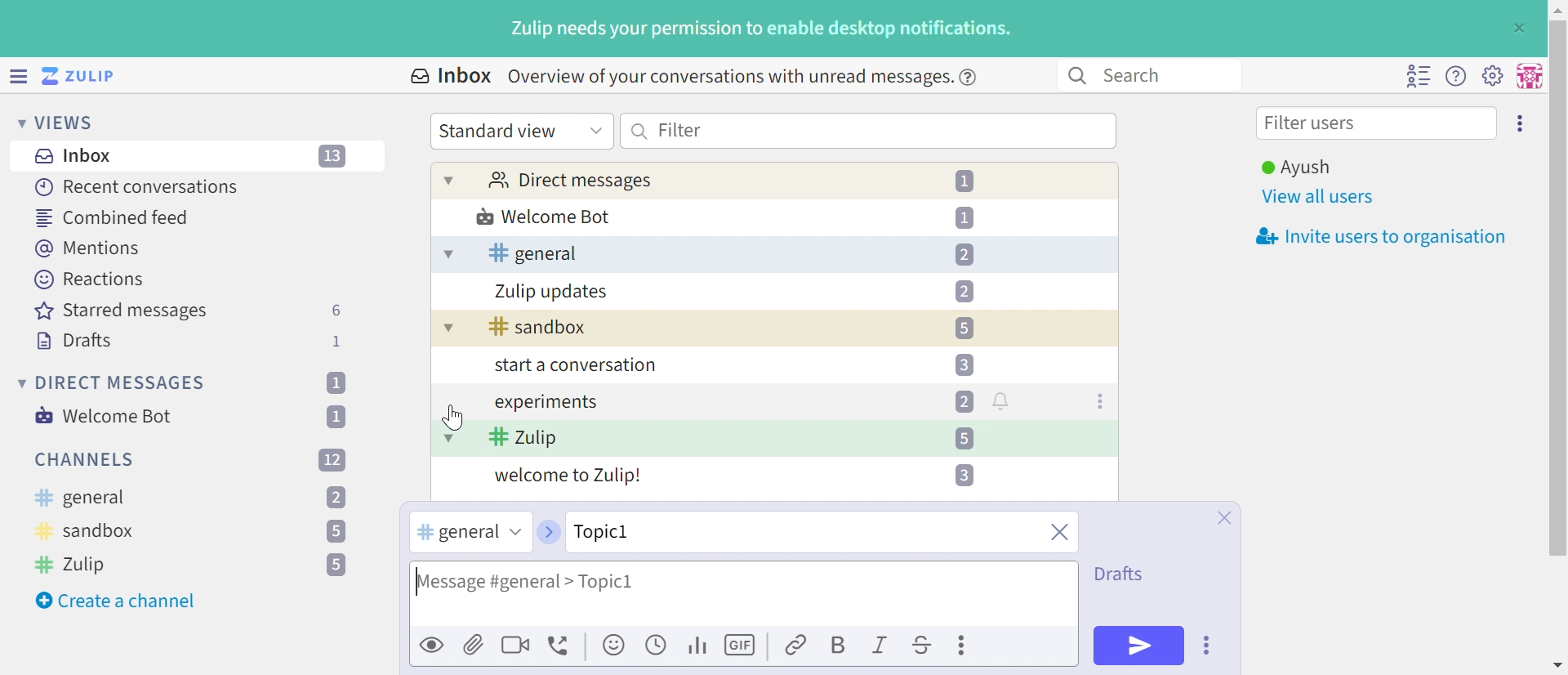  Describe the element at coordinates (964, 329) in the screenshot. I see `5` at that location.